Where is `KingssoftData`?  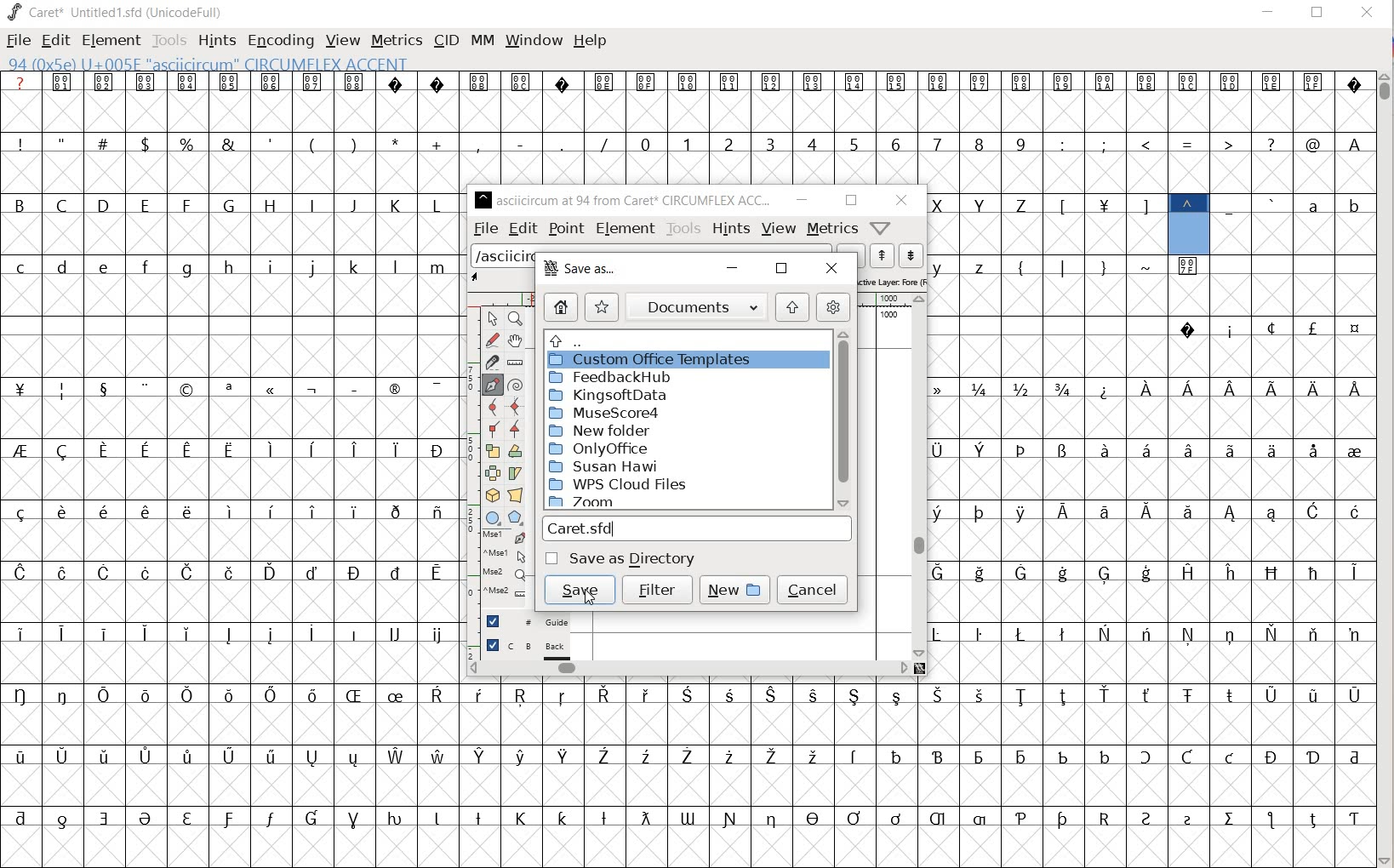
KingssoftData is located at coordinates (609, 395).